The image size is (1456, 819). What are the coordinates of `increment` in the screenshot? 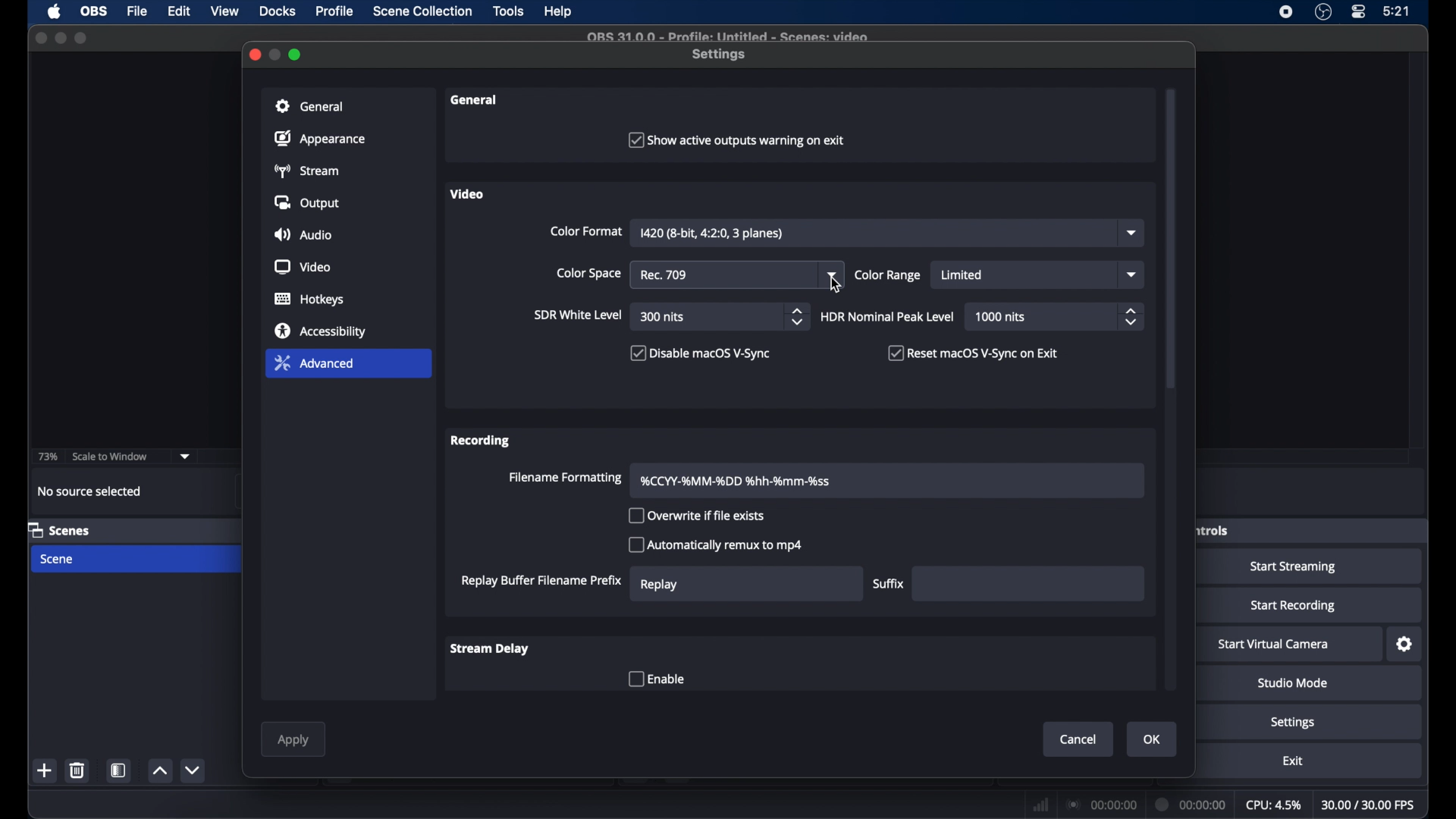 It's located at (158, 771).